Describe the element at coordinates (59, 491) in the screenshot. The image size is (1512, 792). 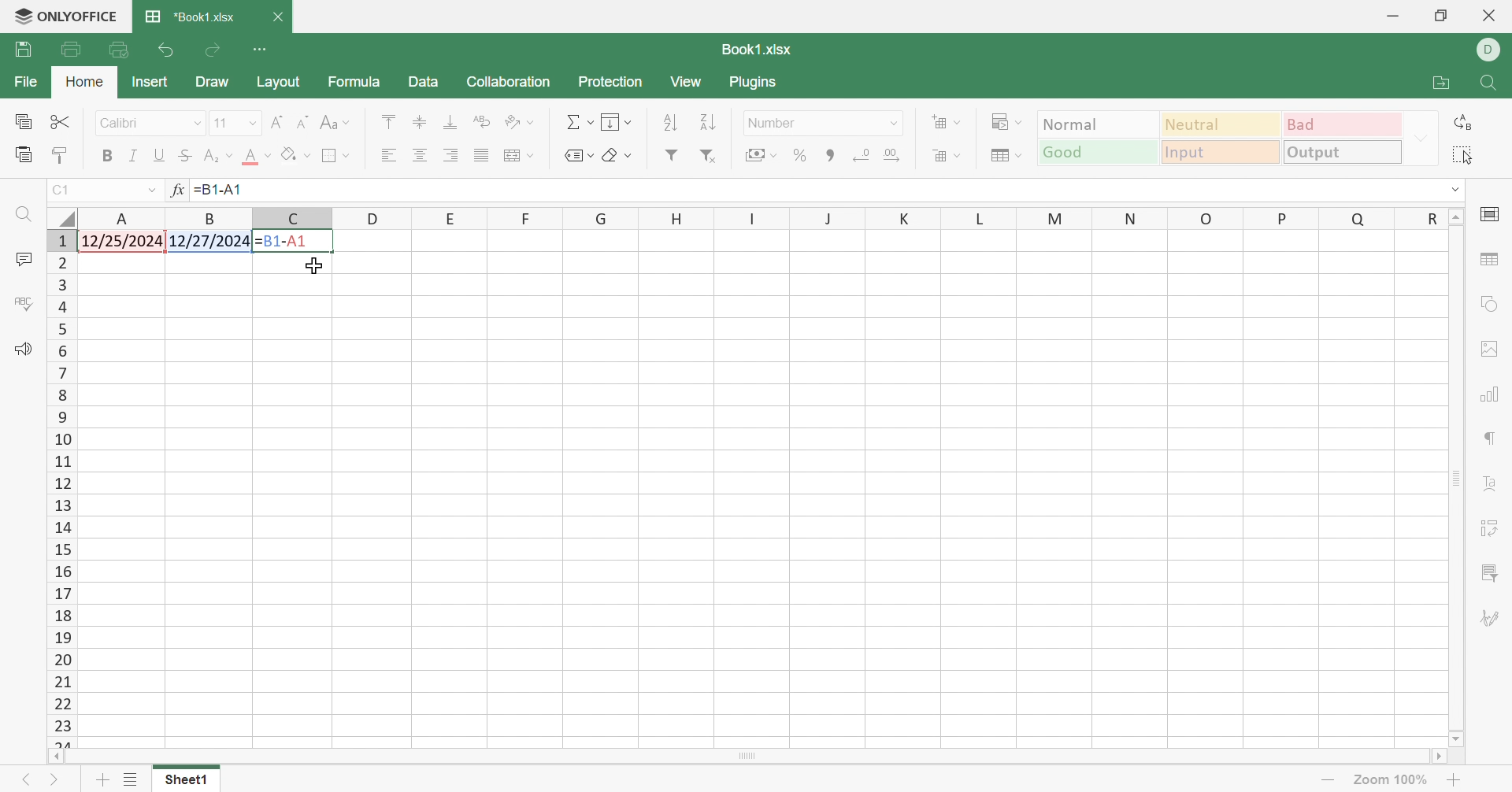
I see `Row Numbers` at that location.